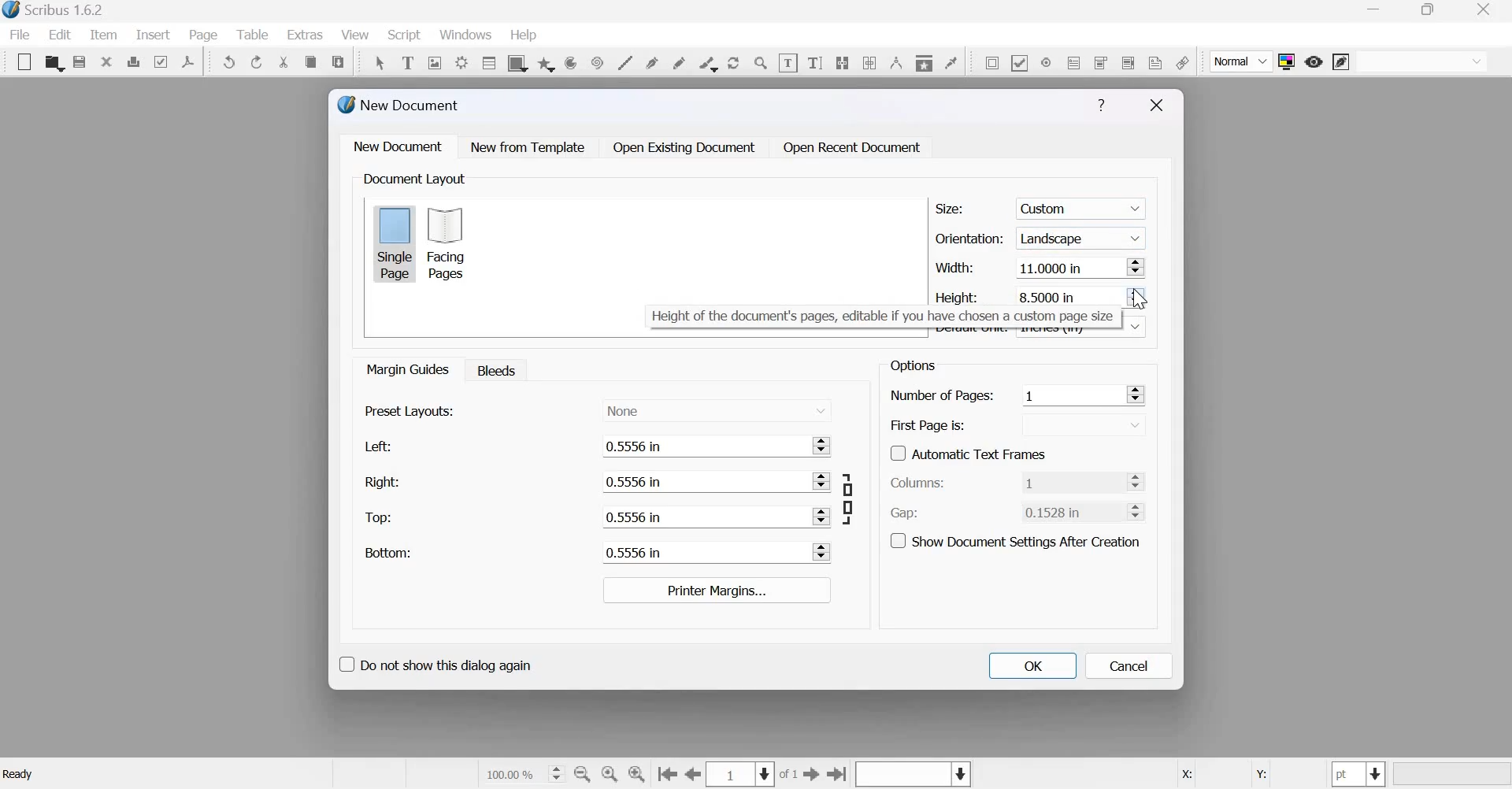  What do you see at coordinates (487, 62) in the screenshot?
I see `table` at bounding box center [487, 62].